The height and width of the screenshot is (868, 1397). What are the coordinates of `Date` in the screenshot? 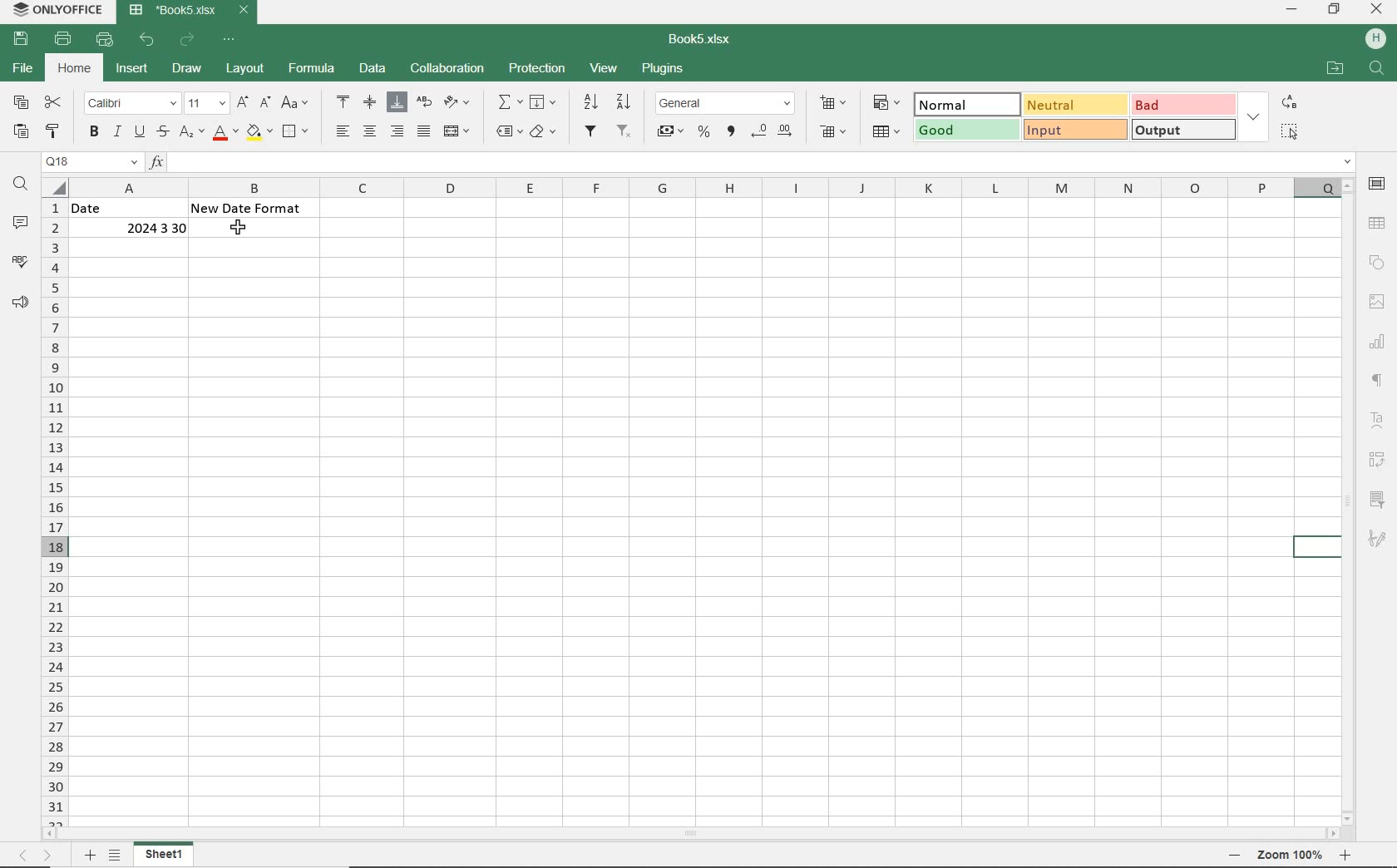 It's located at (122, 208).